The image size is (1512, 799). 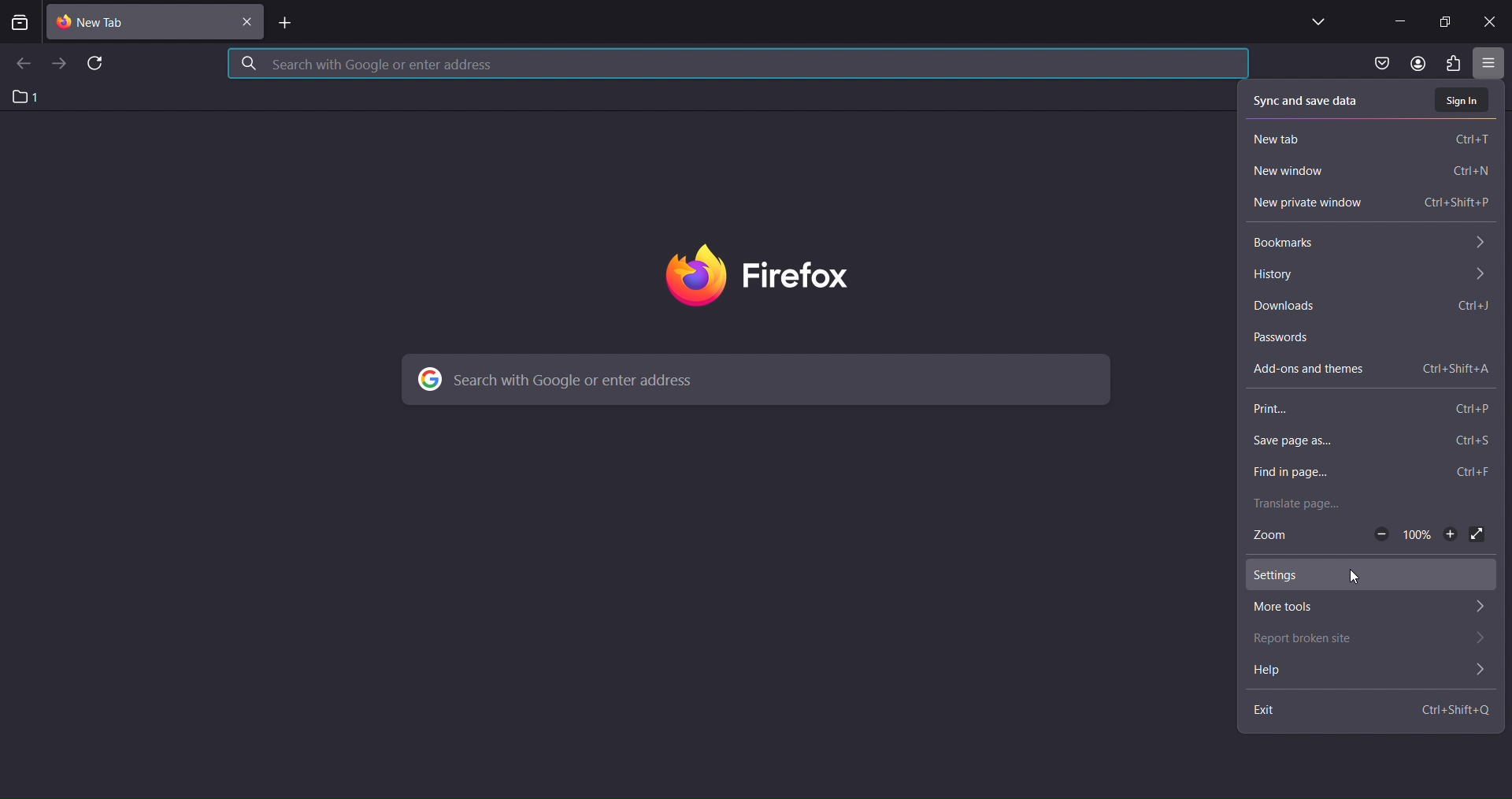 What do you see at coordinates (58, 63) in the screenshot?
I see `go forward one page` at bounding box center [58, 63].